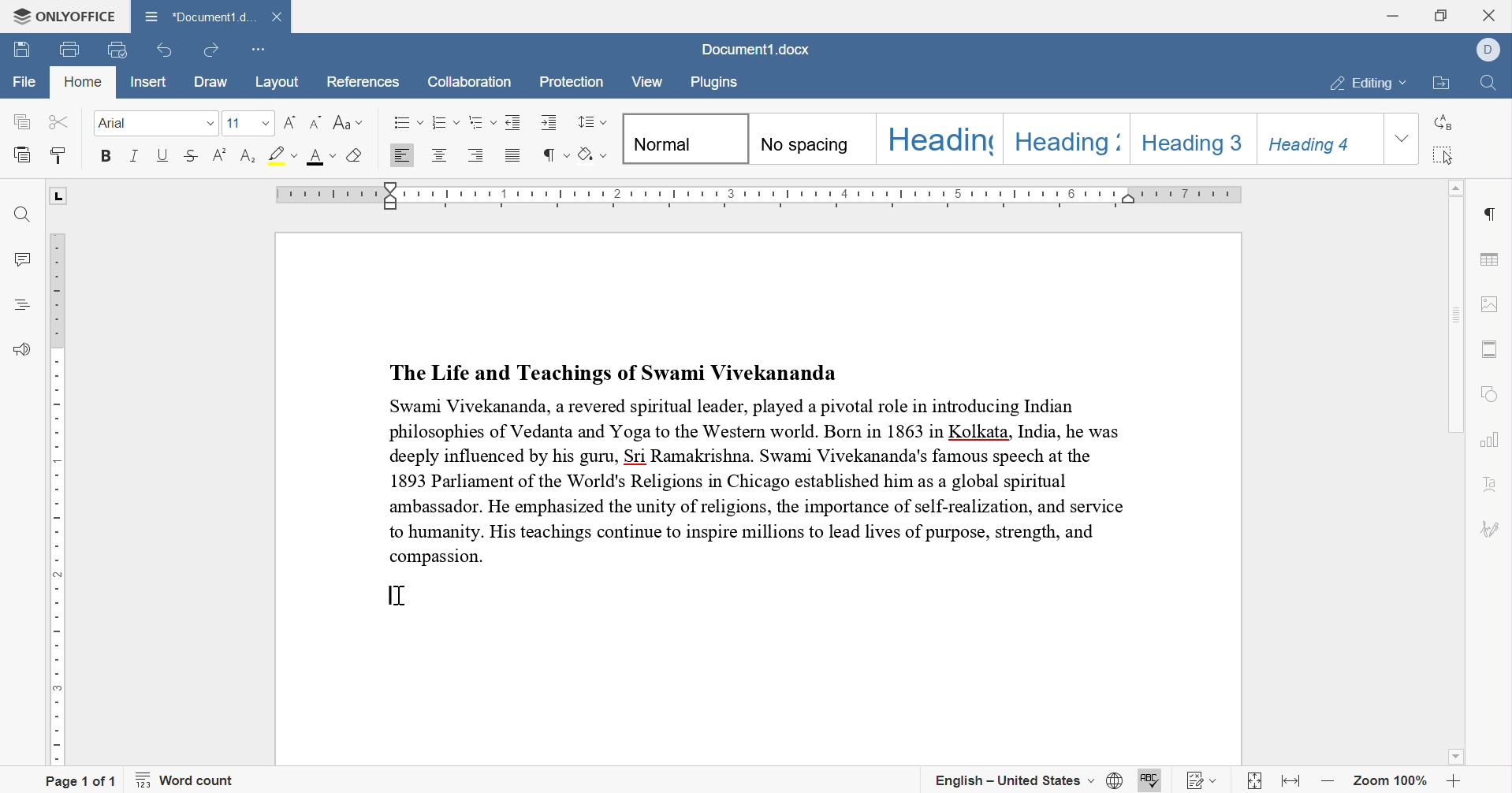 The height and width of the screenshot is (793, 1512). Describe the element at coordinates (482, 122) in the screenshot. I see `multilevel list` at that location.